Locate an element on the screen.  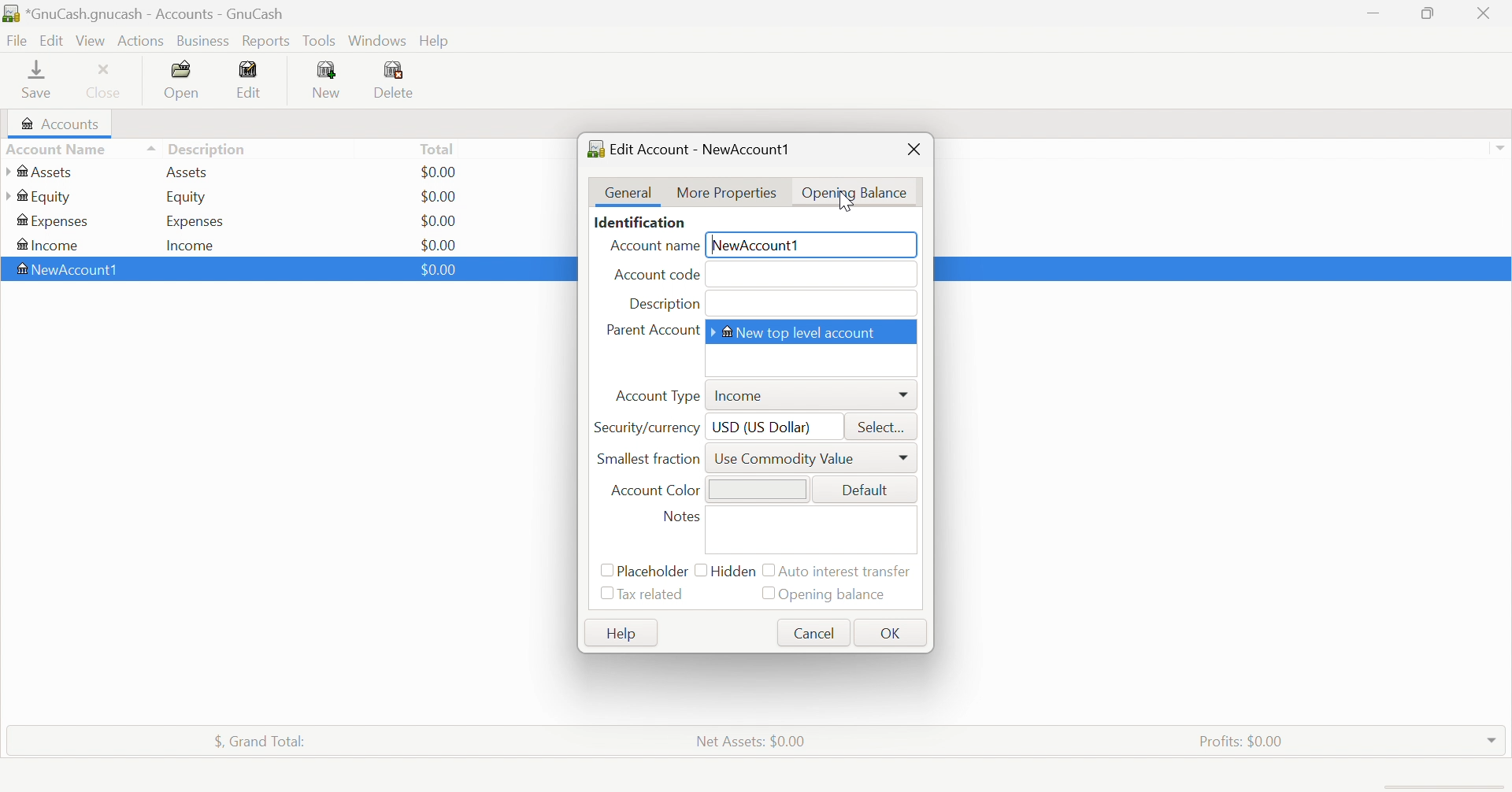
Equity is located at coordinates (38, 197).